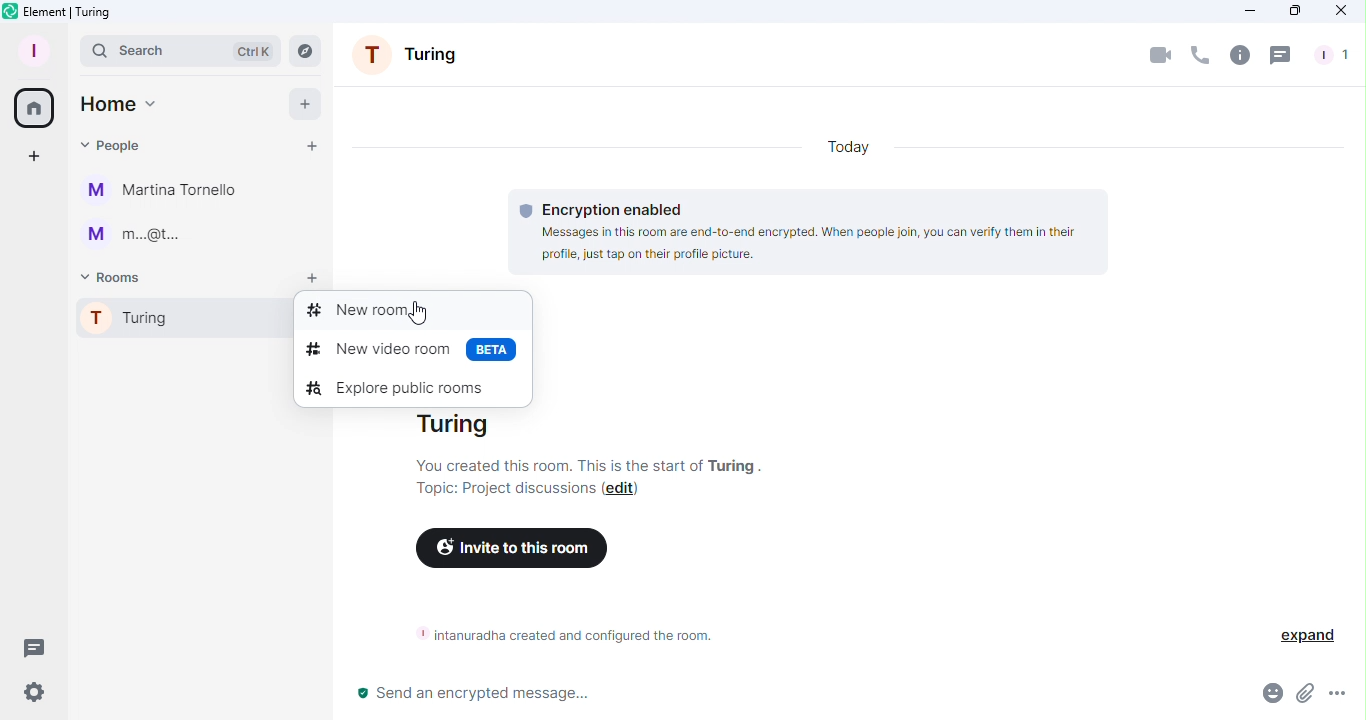 The image size is (1366, 720). I want to click on Threads, so click(1283, 55).